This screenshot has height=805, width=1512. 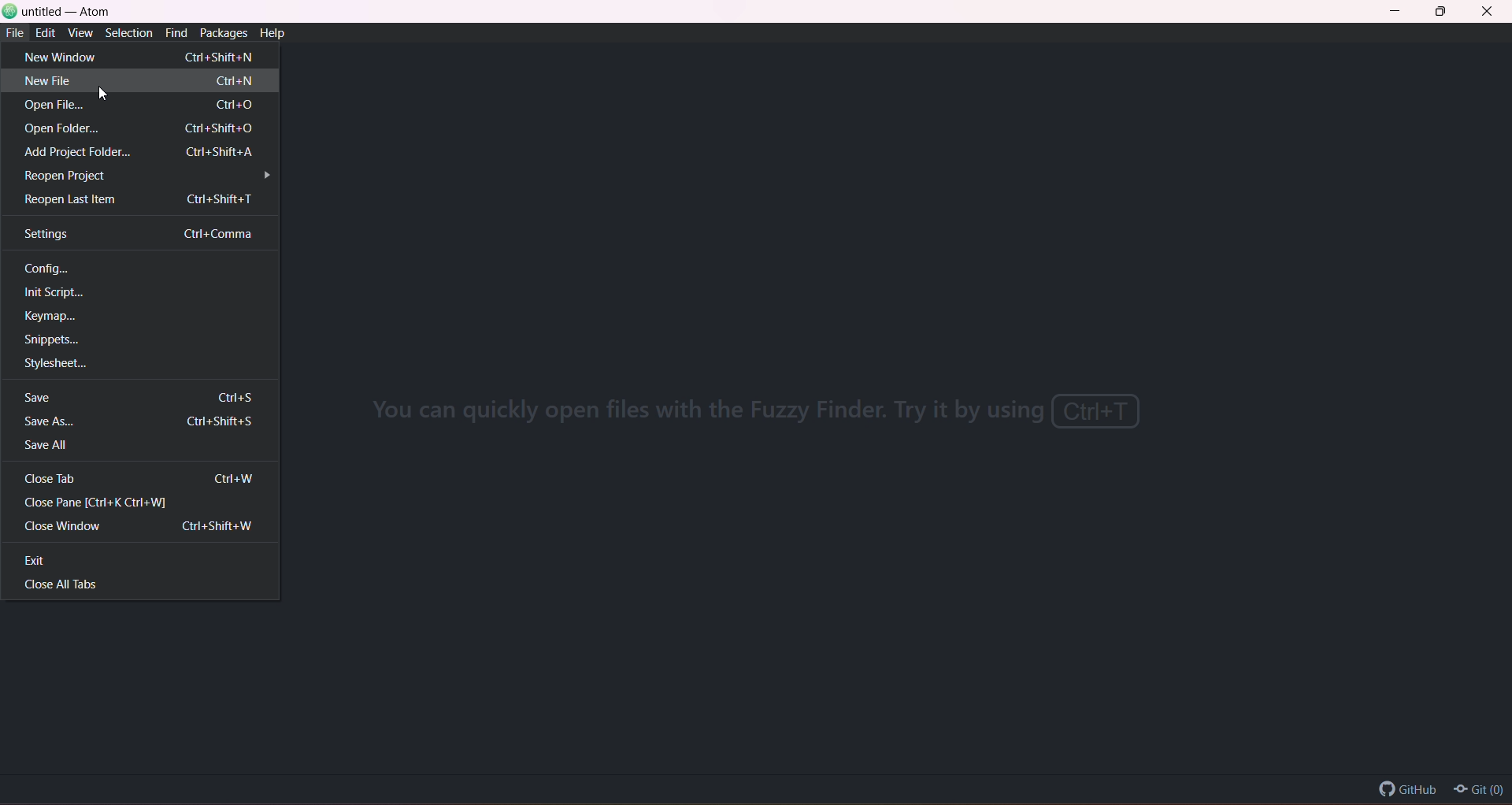 I want to click on Maximize, so click(x=1444, y=12).